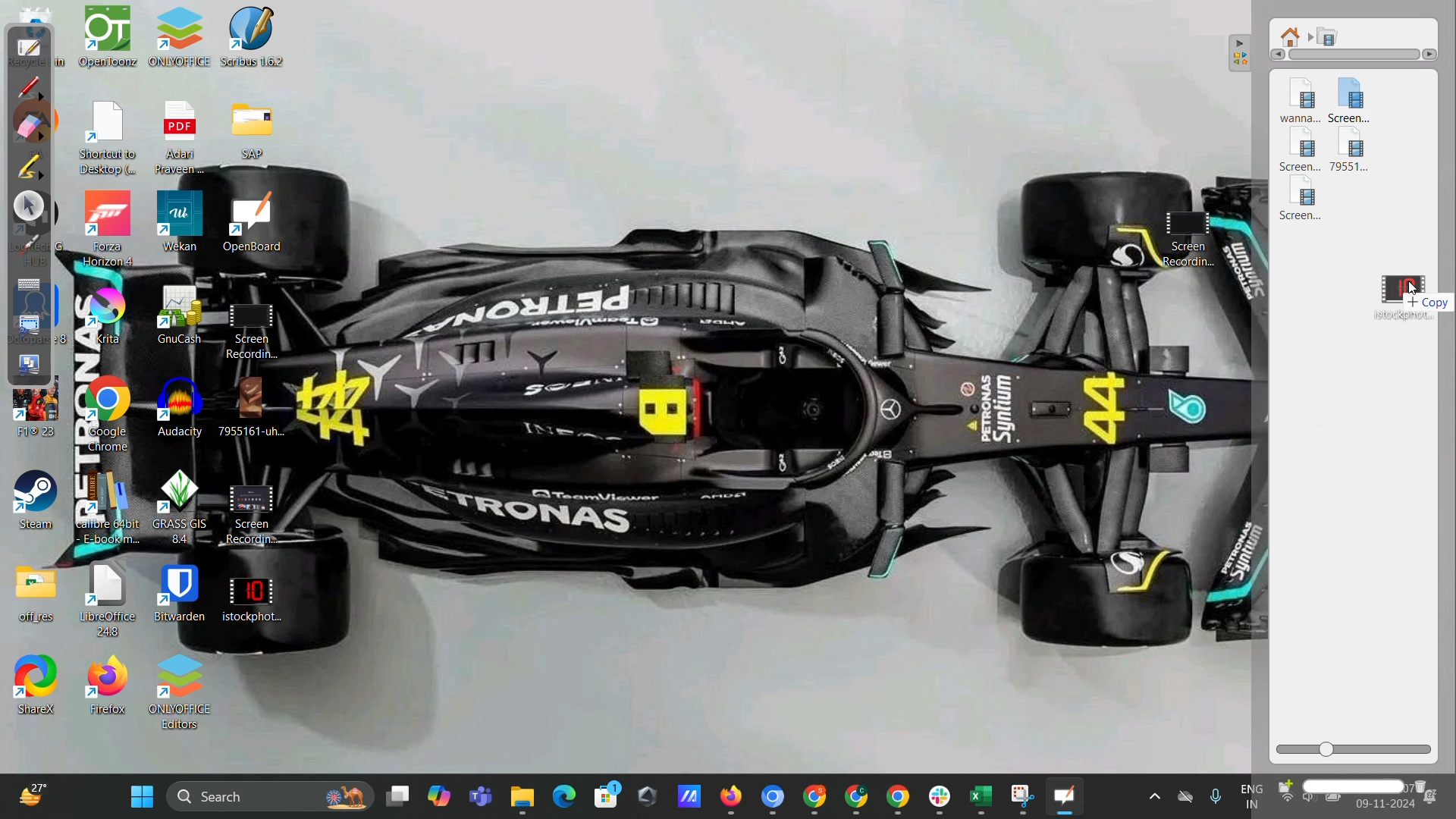  I want to click on minimized google chrome, so click(856, 796).